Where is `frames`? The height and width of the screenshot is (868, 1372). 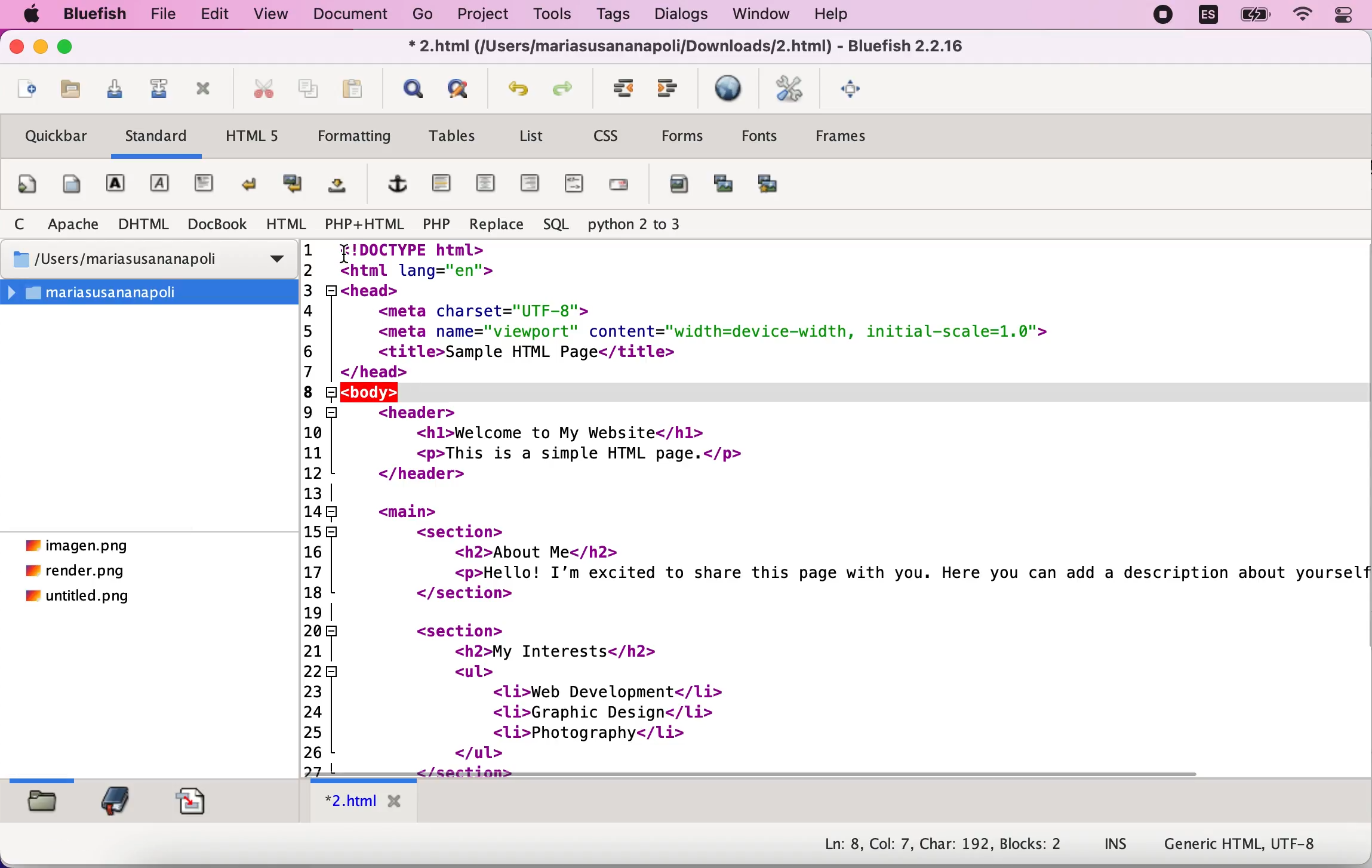
frames is located at coordinates (854, 139).